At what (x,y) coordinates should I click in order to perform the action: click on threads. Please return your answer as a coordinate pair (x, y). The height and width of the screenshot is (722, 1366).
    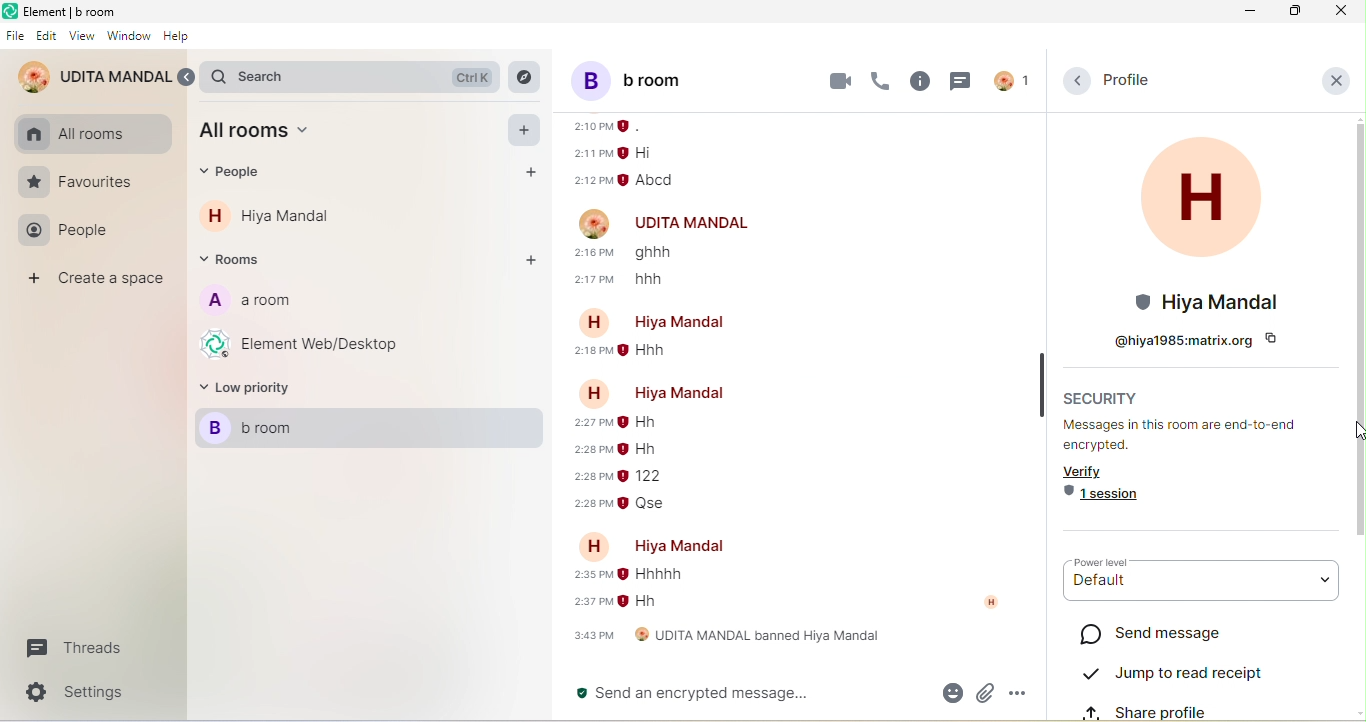
    Looking at the image, I should click on (958, 80).